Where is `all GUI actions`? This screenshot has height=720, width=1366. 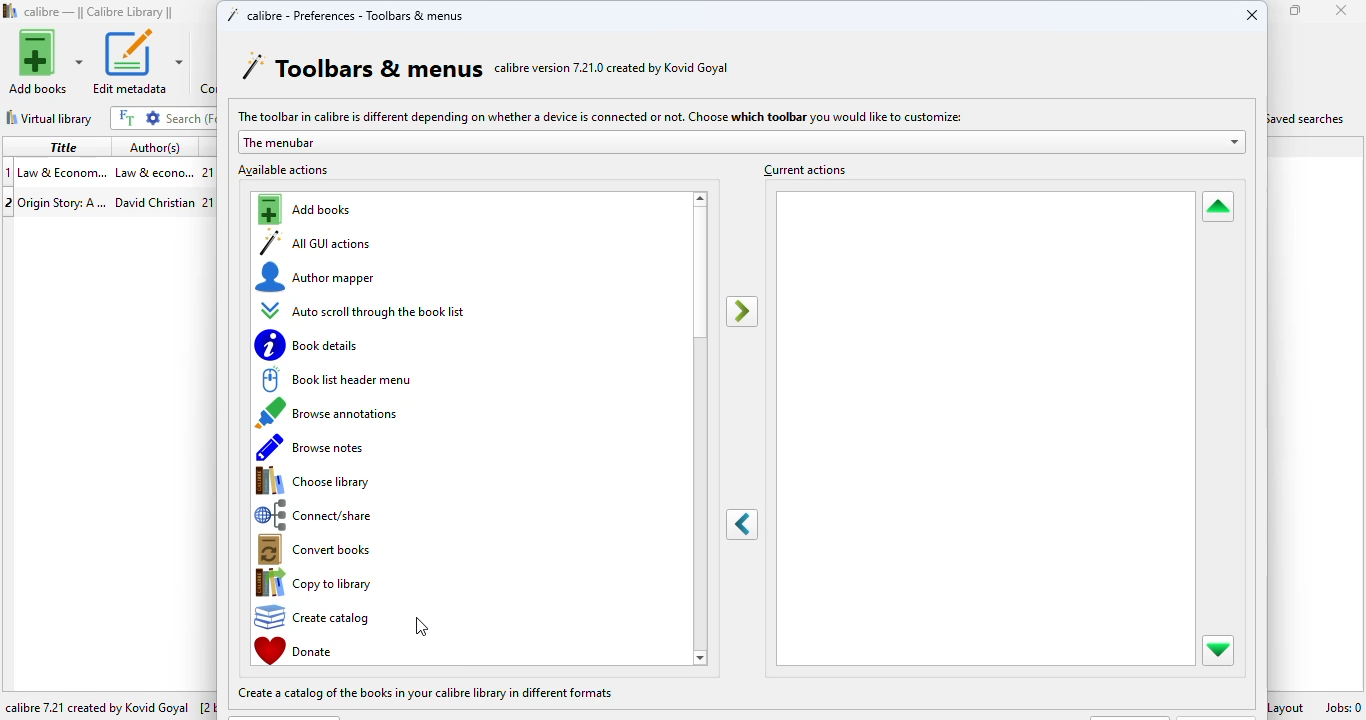 all GUI actions is located at coordinates (316, 242).